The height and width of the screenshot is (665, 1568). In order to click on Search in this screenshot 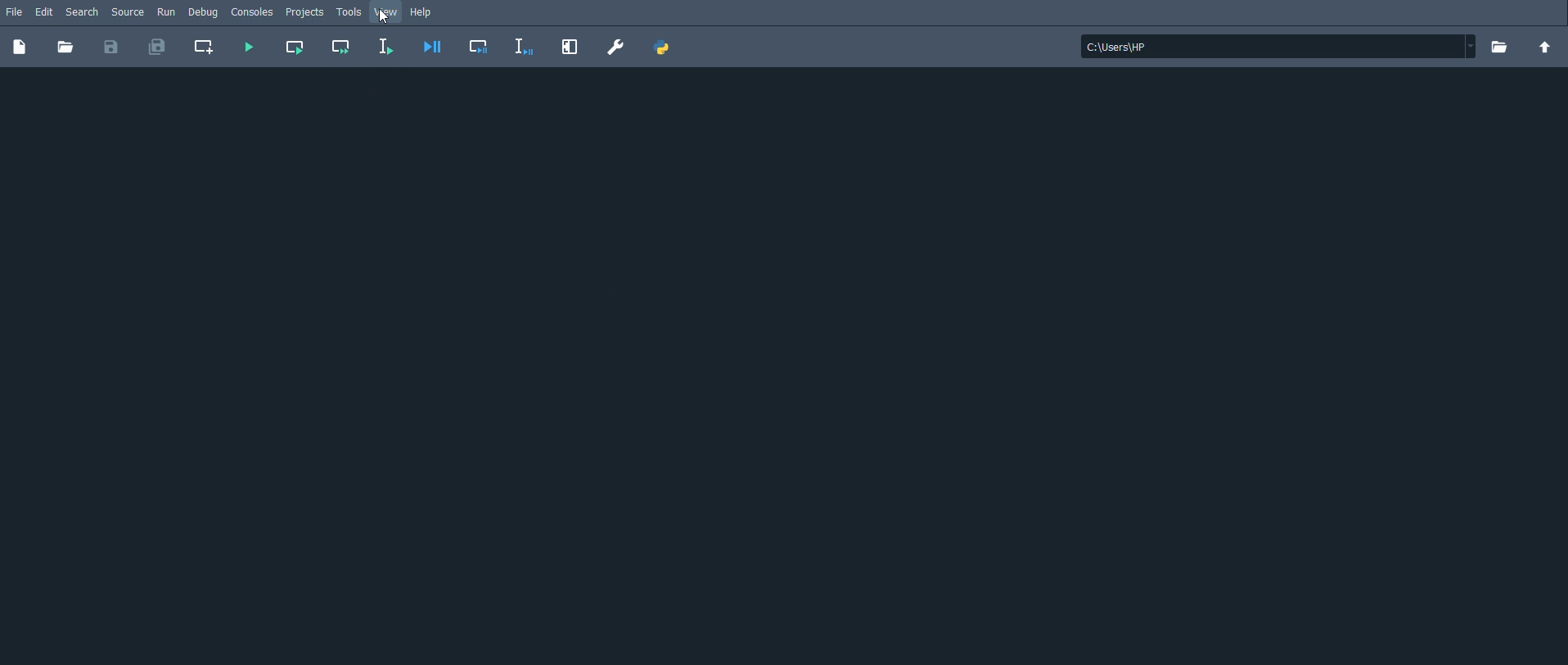, I will do `click(86, 13)`.